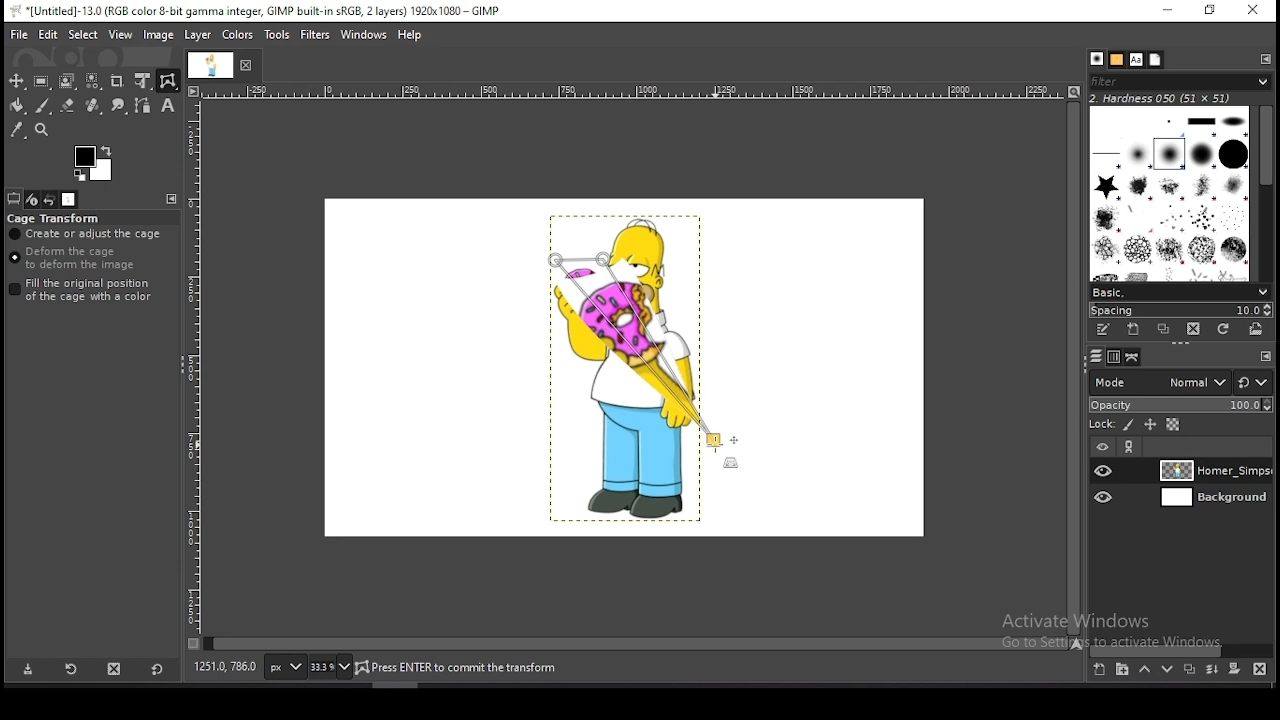 This screenshot has height=720, width=1280. Describe the element at coordinates (1171, 192) in the screenshot. I see `brushes` at that location.